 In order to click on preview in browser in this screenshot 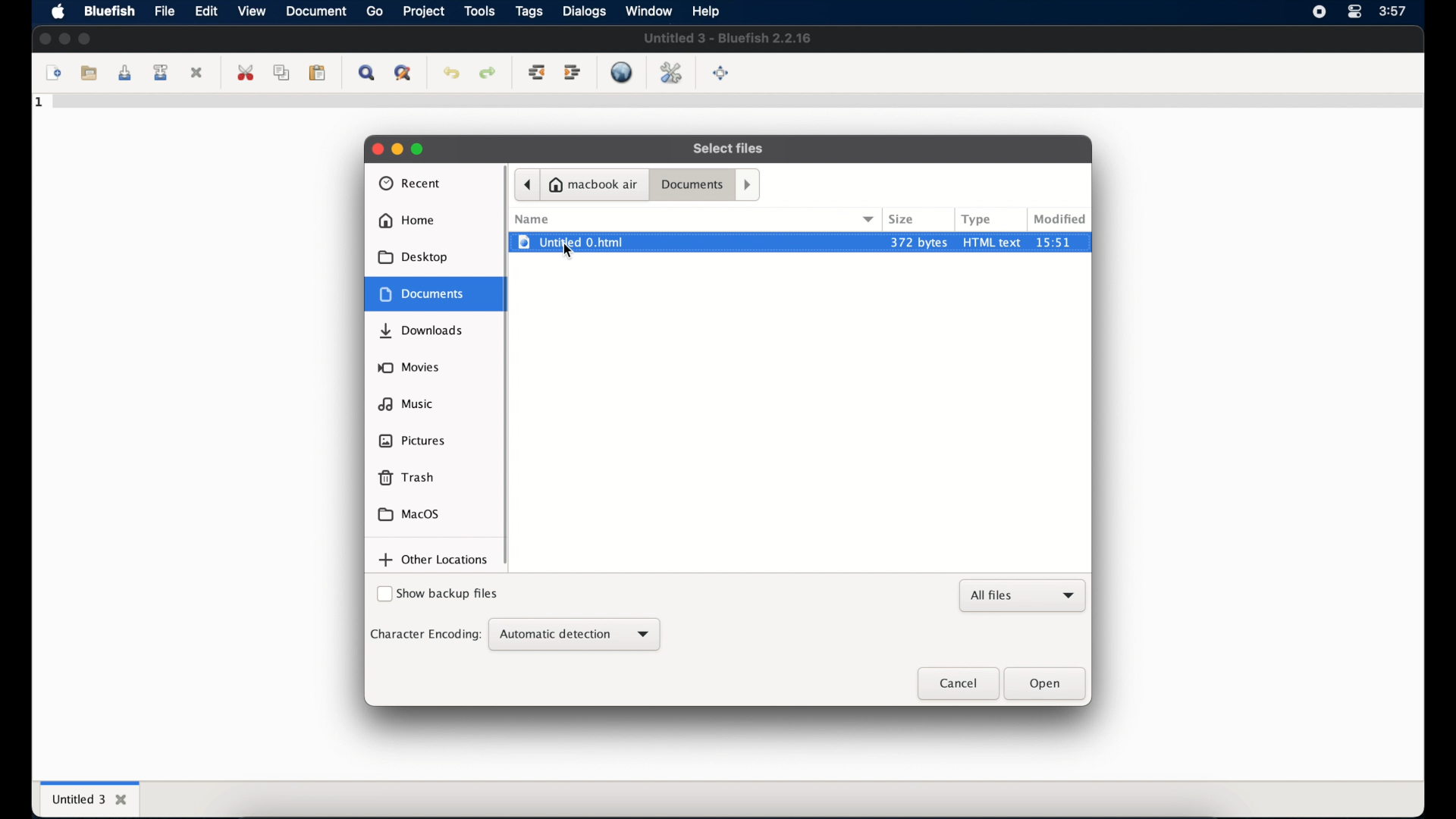, I will do `click(623, 72)`.